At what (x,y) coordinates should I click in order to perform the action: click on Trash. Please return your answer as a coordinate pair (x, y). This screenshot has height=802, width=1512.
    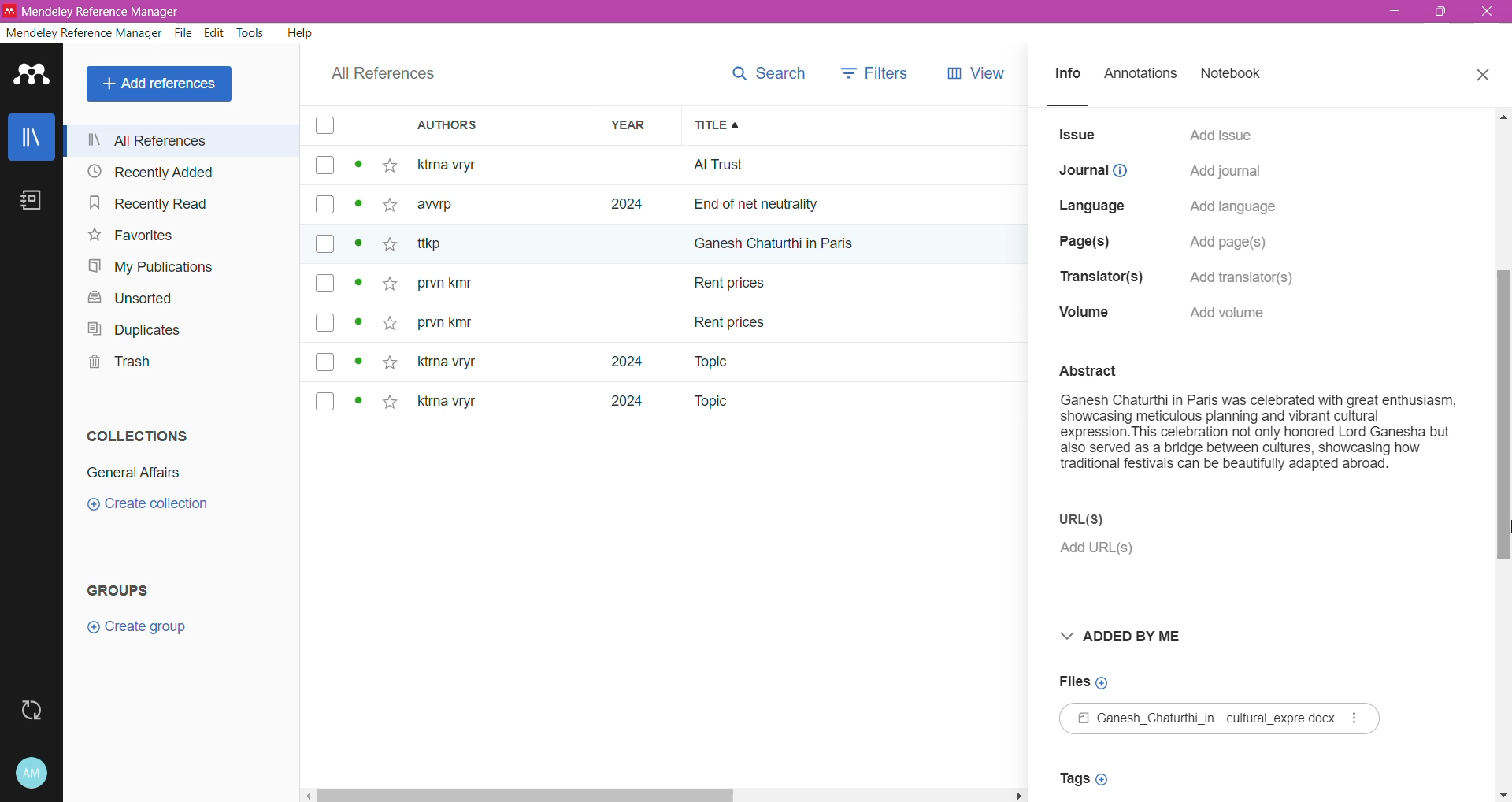
    Looking at the image, I should click on (117, 364).